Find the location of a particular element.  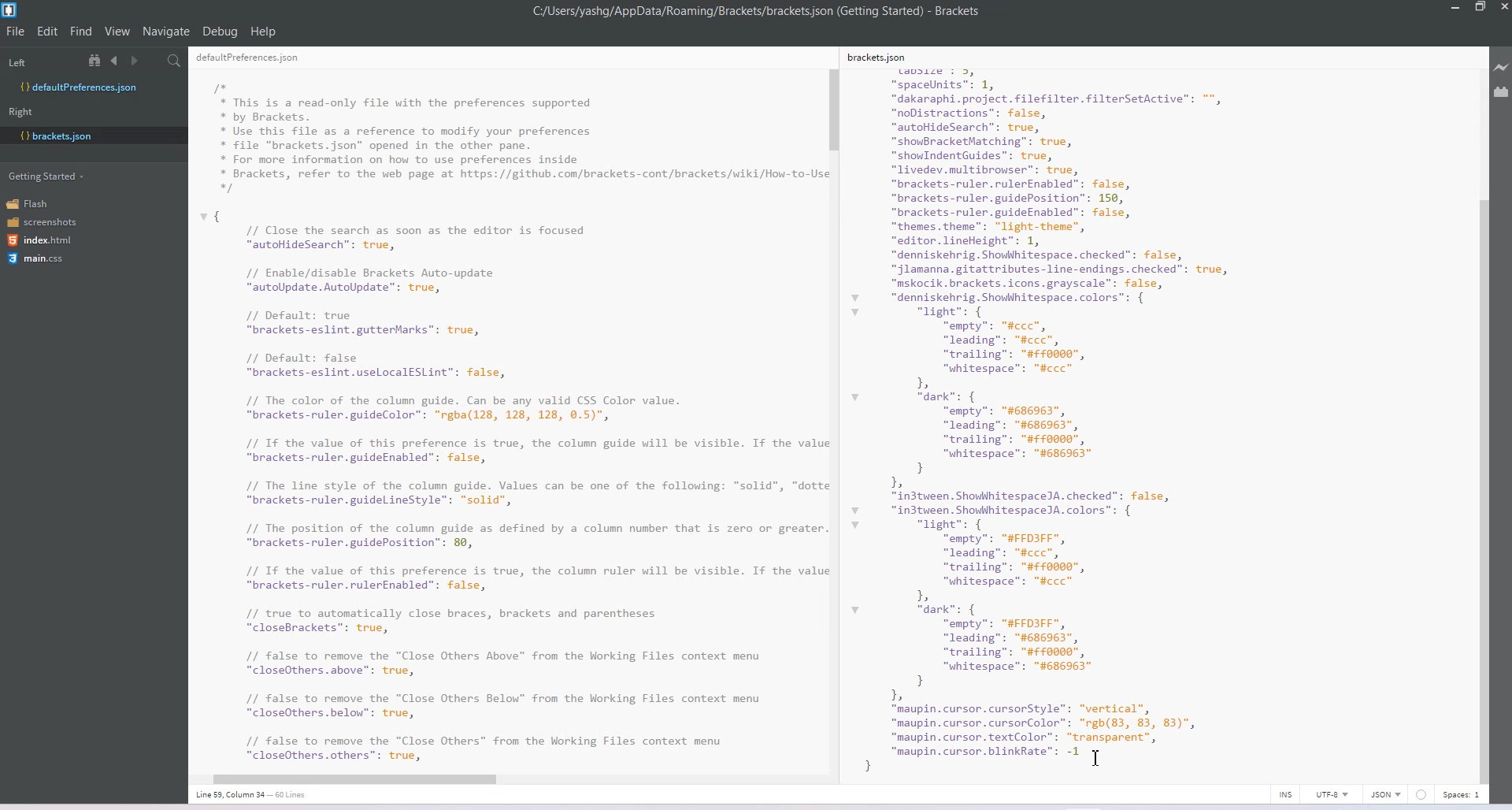

Navigate is located at coordinates (168, 32).